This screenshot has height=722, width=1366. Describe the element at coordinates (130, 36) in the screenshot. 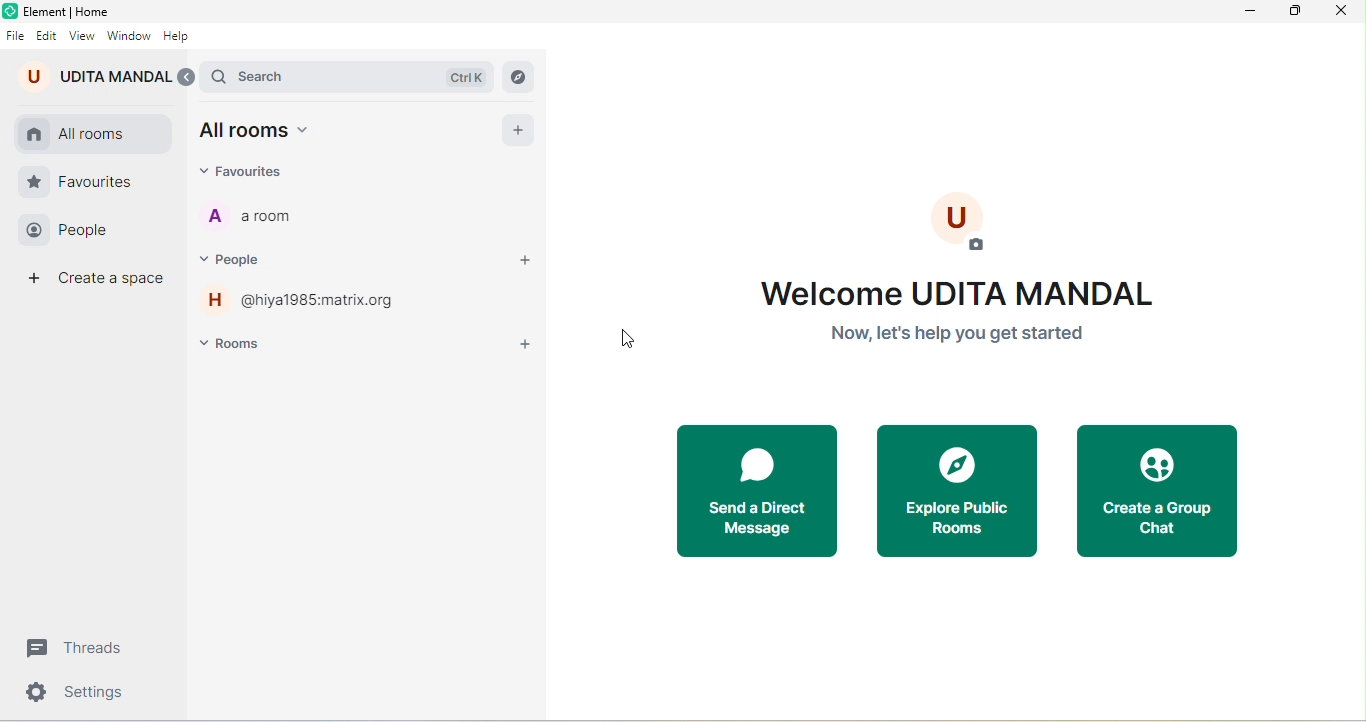

I see `window` at that location.